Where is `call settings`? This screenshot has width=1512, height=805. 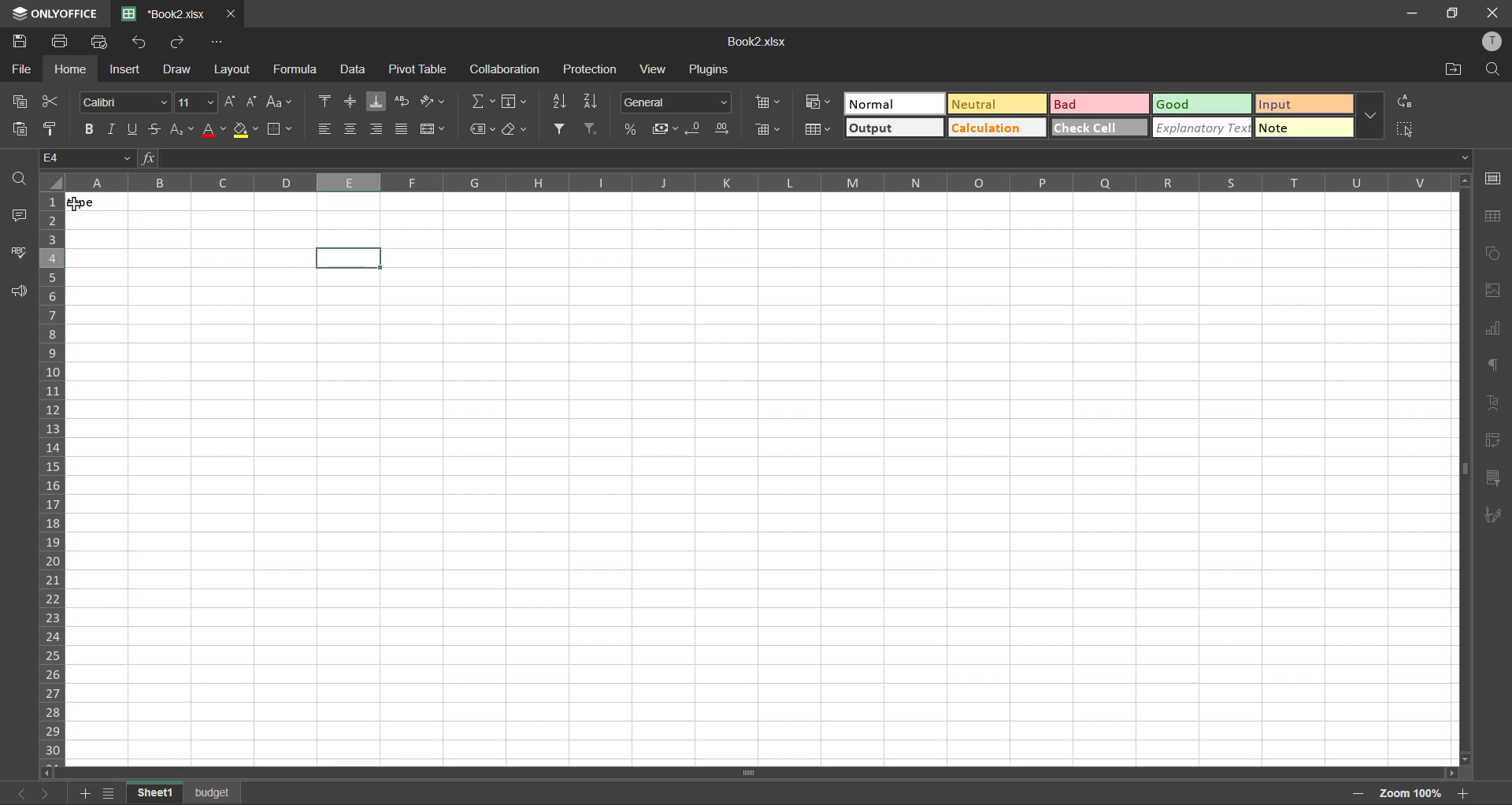
call settings is located at coordinates (1495, 180).